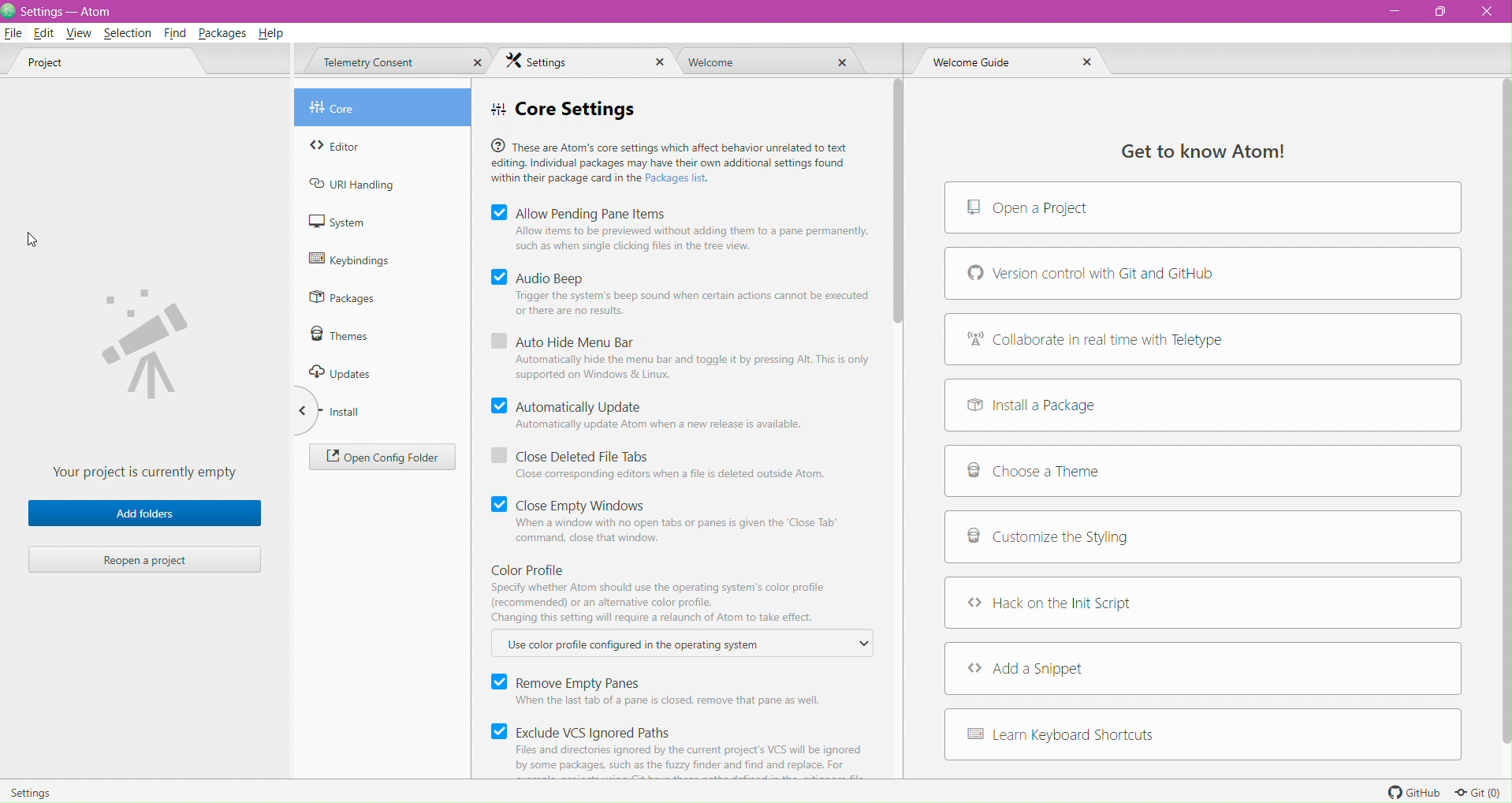 The image size is (1512, 803). I want to click on Core Settings. These are Atom's core settings which affect behavior unrelated to text editing. Individual packages may have their own additional settings found within their package card in the Packages list., so click(671, 144).